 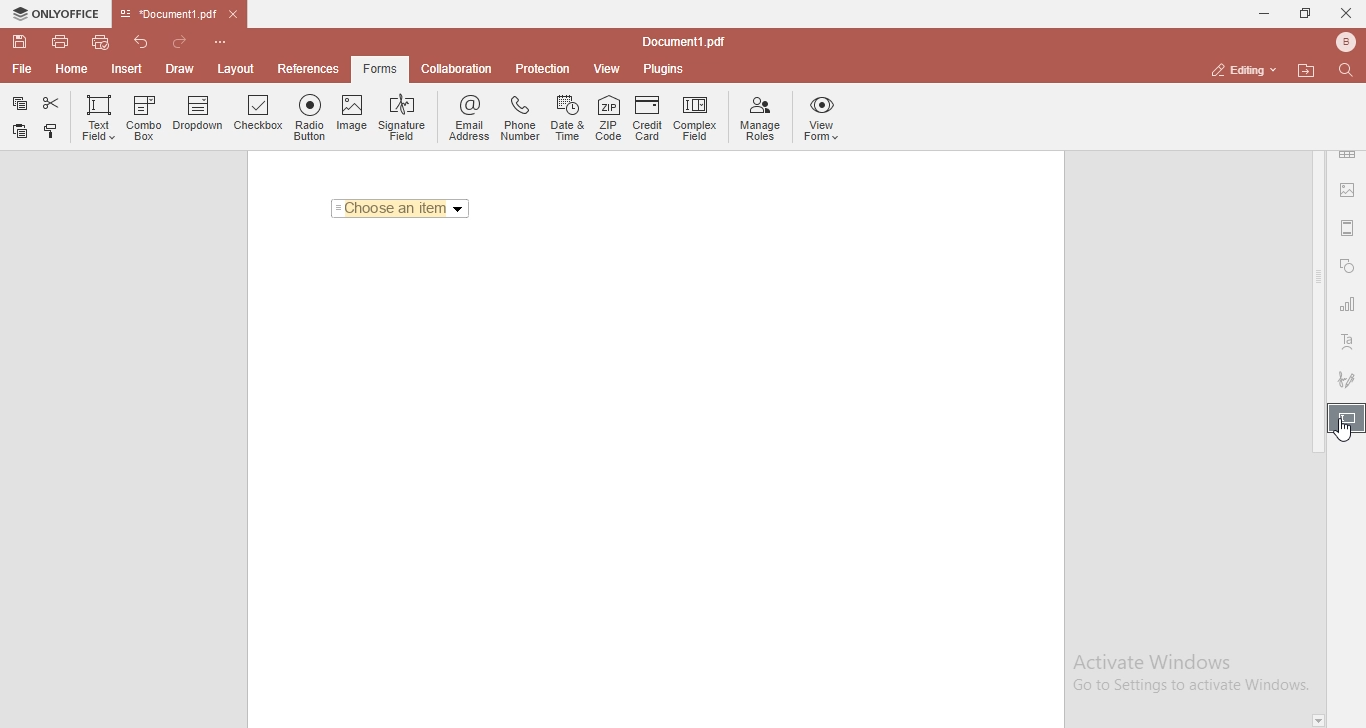 What do you see at coordinates (1349, 192) in the screenshot?
I see `image` at bounding box center [1349, 192].